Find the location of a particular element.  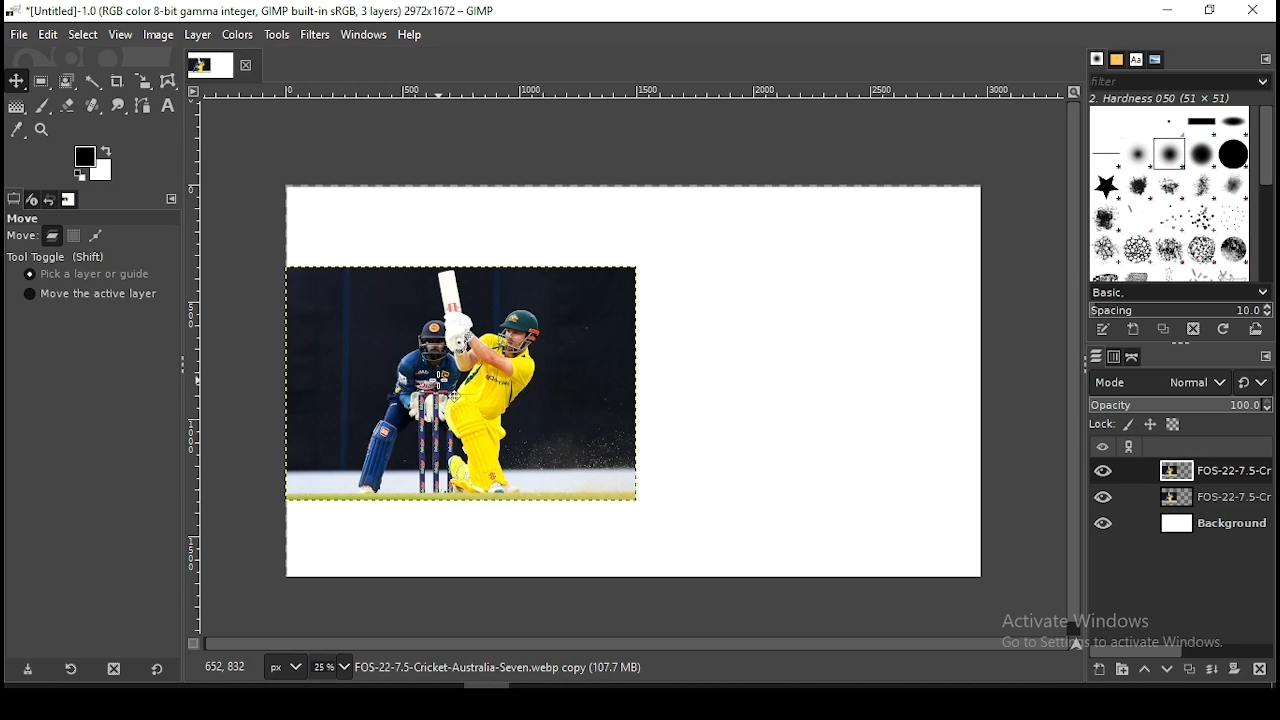

layer is located at coordinates (196, 36).